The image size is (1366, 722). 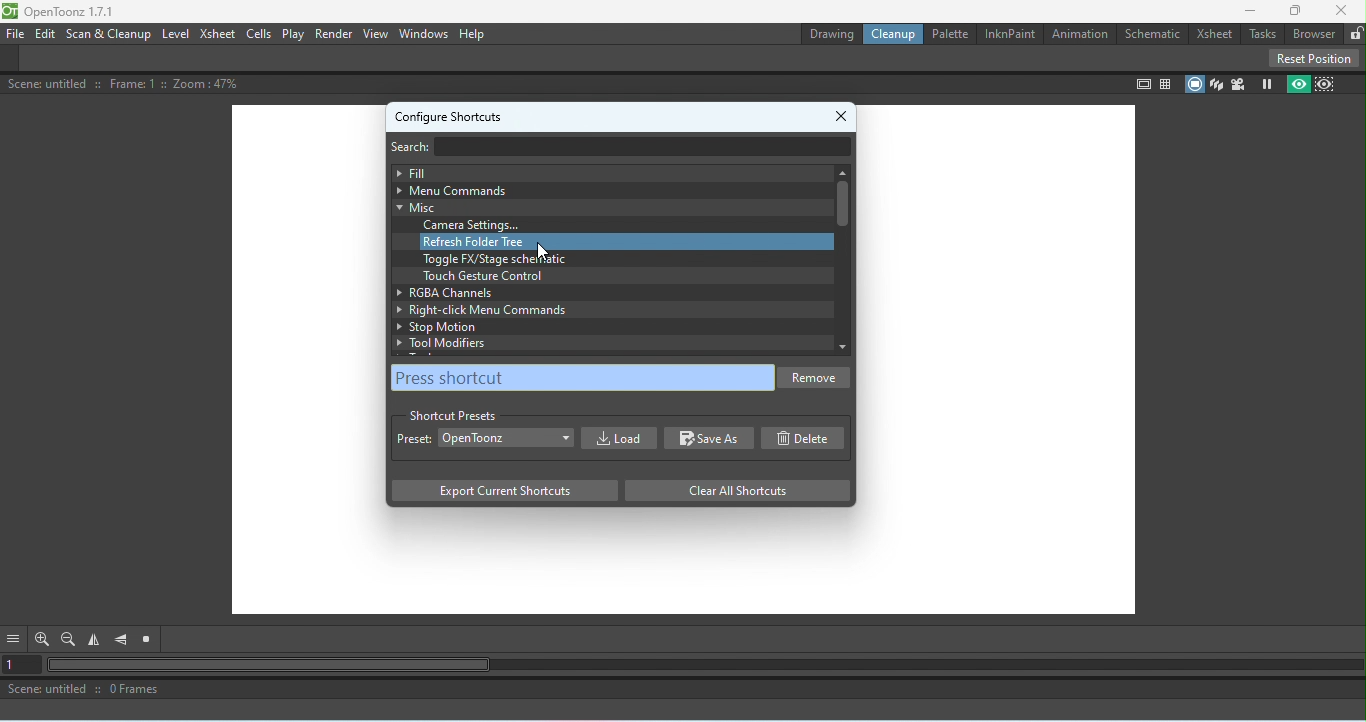 What do you see at coordinates (1150, 33) in the screenshot?
I see `Schematic` at bounding box center [1150, 33].